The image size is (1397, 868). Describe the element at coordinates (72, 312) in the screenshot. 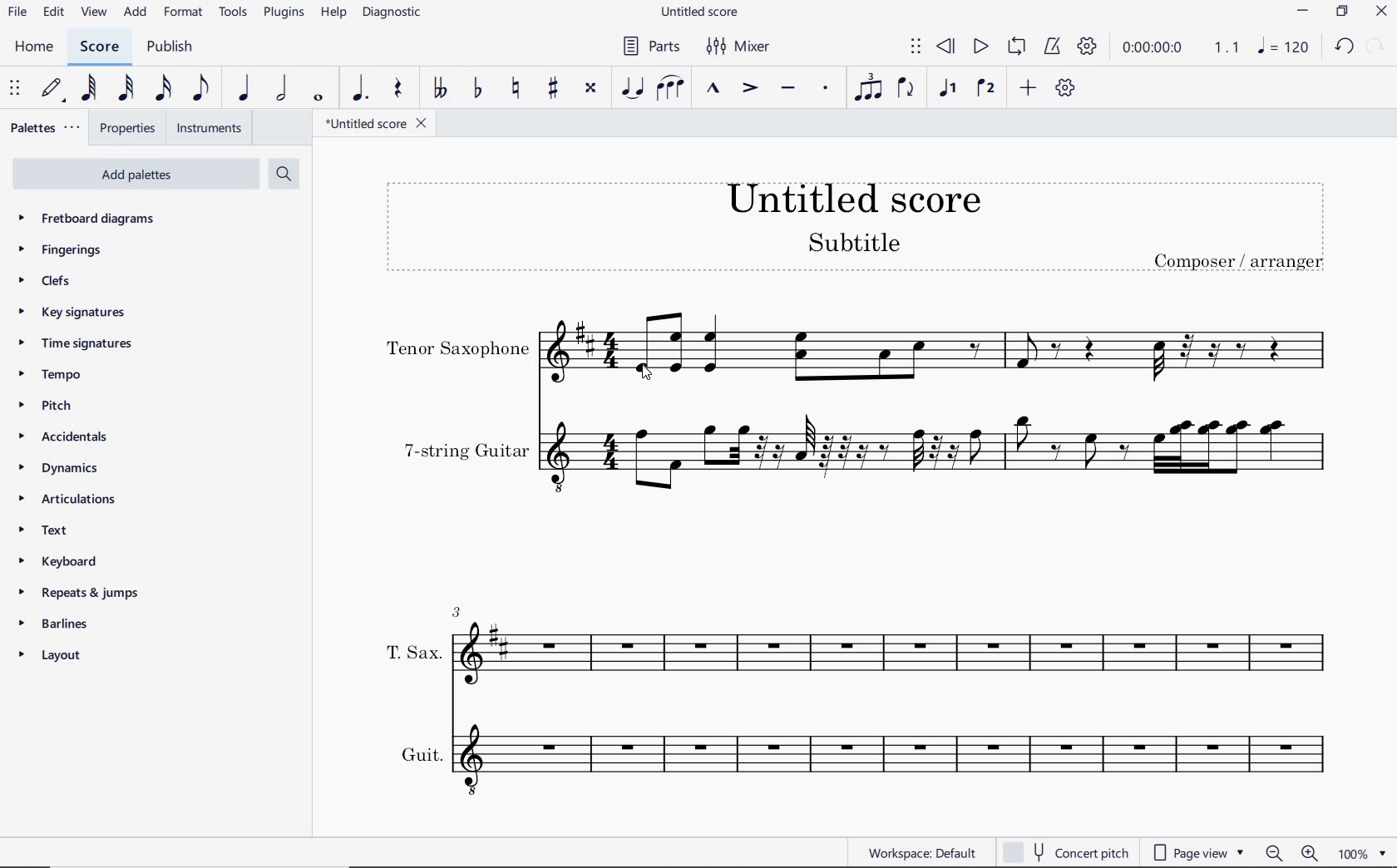

I see `KEY SIGNATURES` at that location.